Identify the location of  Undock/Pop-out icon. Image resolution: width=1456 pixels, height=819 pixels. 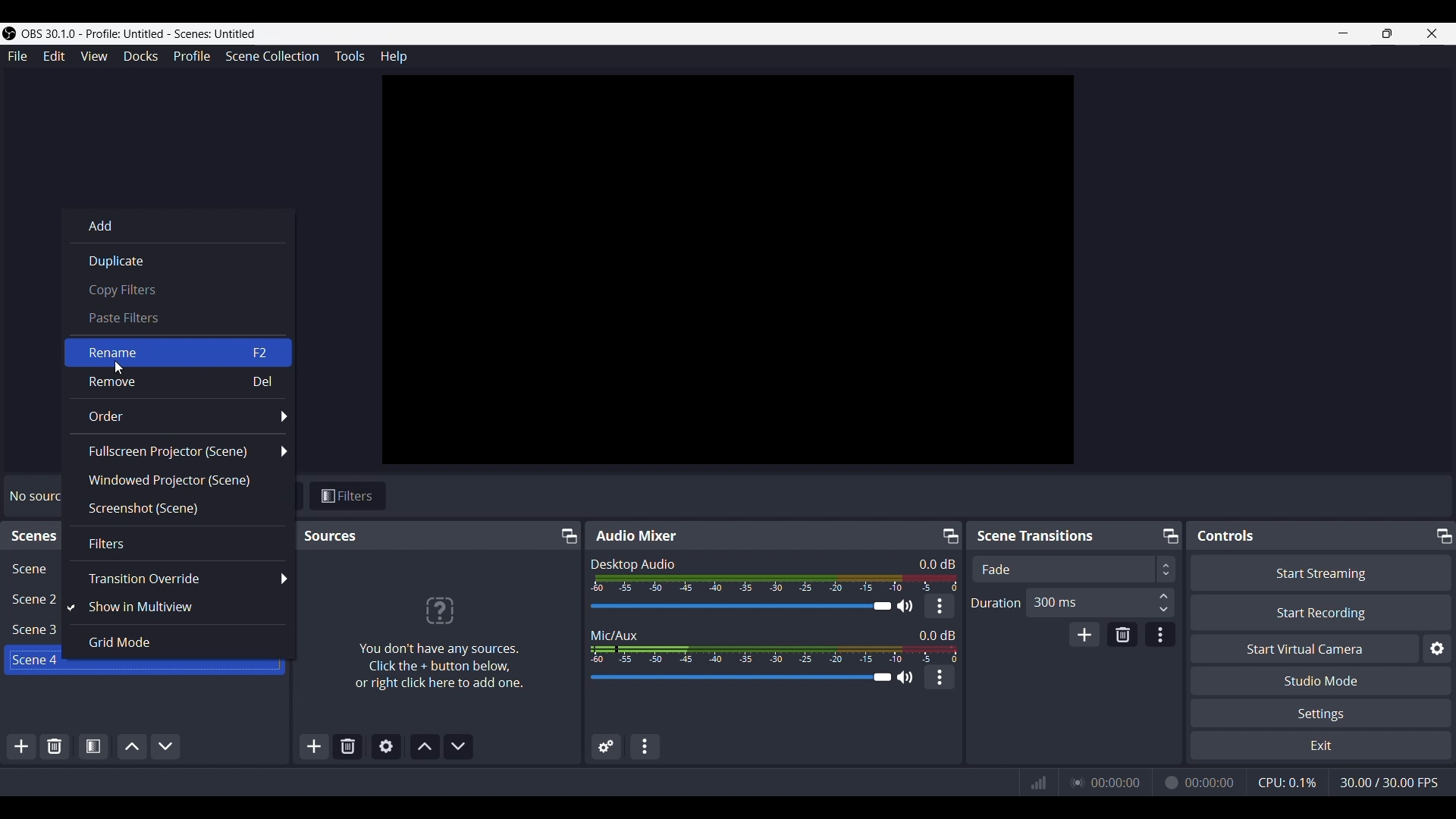
(1442, 534).